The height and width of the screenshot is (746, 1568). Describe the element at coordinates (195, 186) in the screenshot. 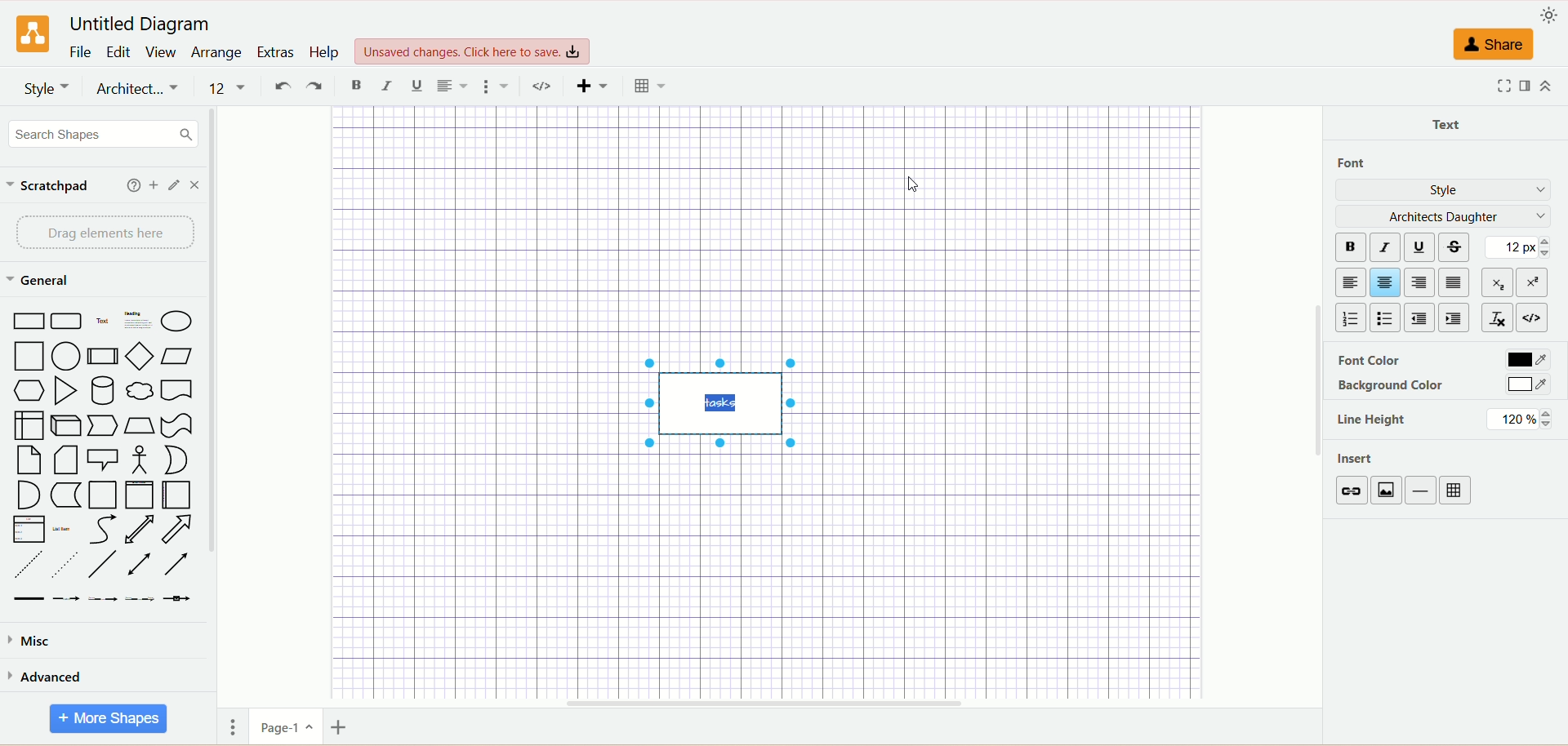

I see `close` at that location.